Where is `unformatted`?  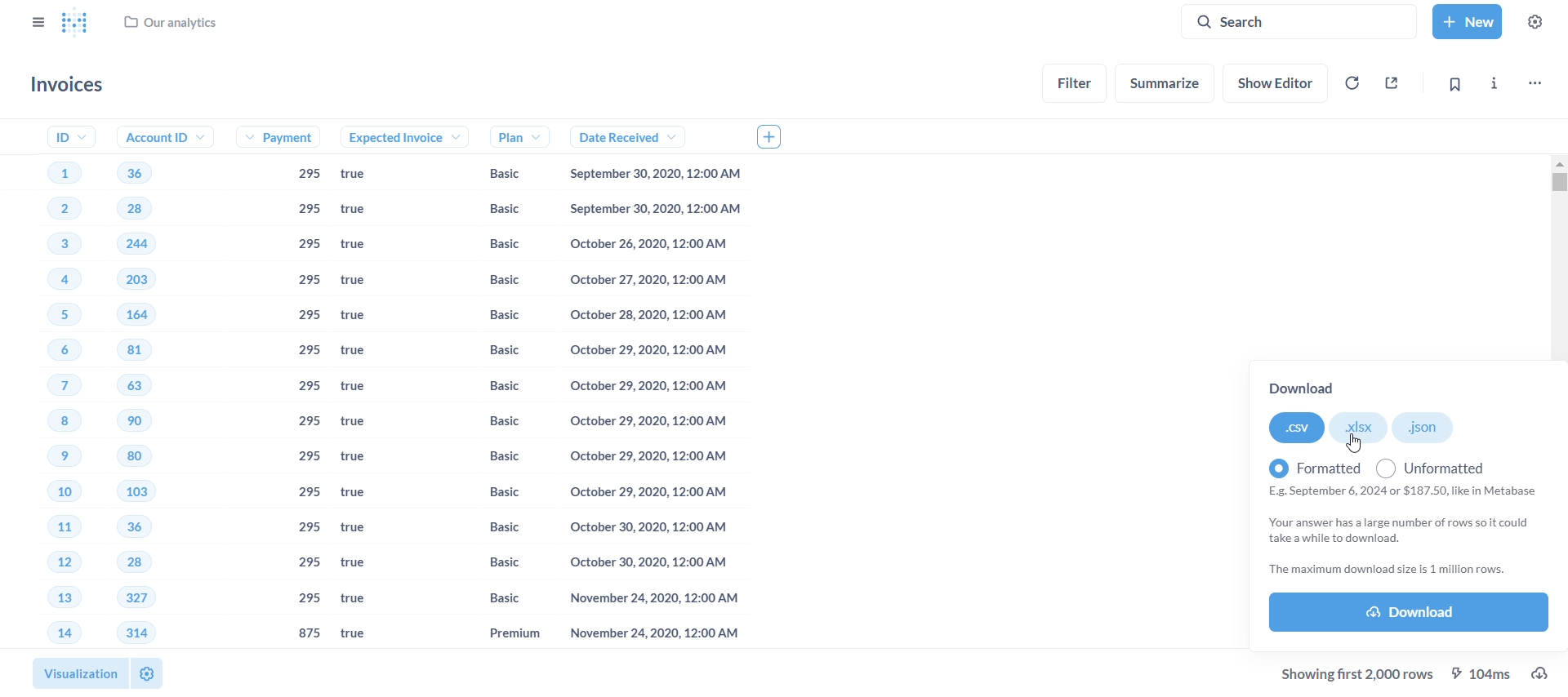 unformatted is located at coordinates (1442, 464).